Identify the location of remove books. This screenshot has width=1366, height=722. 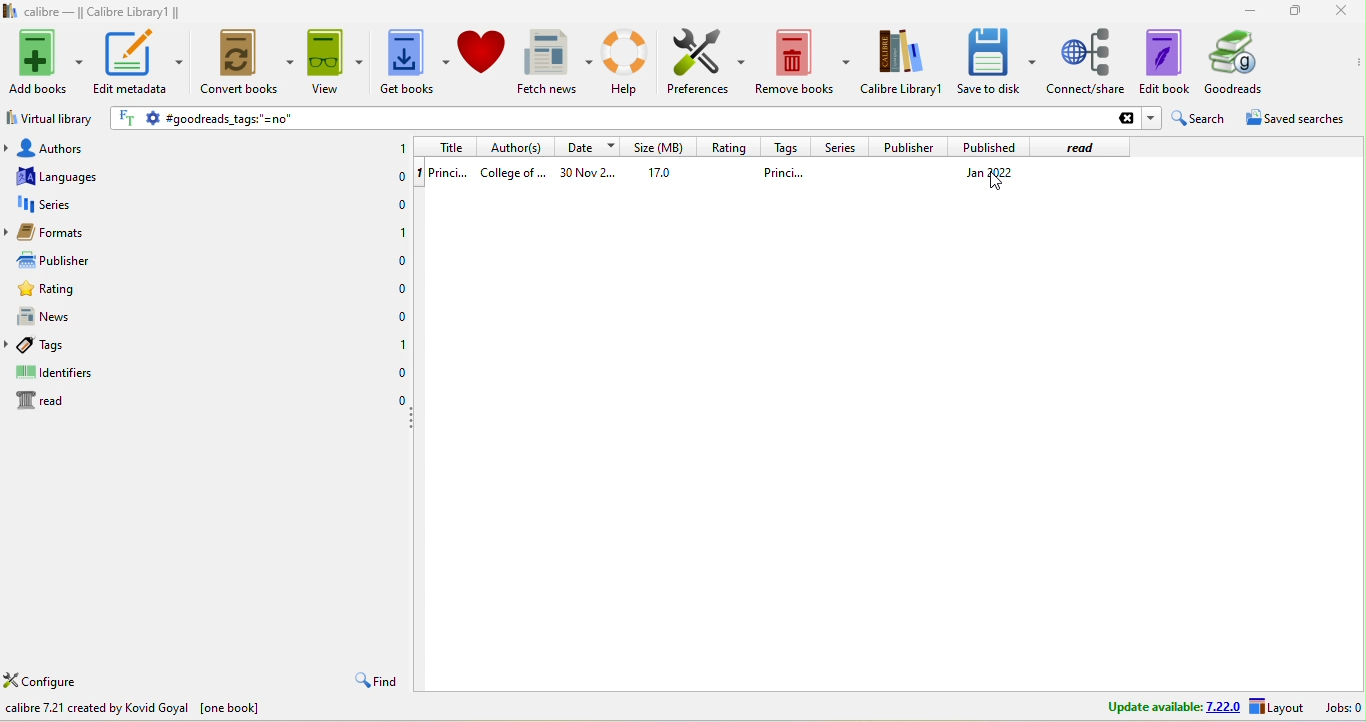
(802, 61).